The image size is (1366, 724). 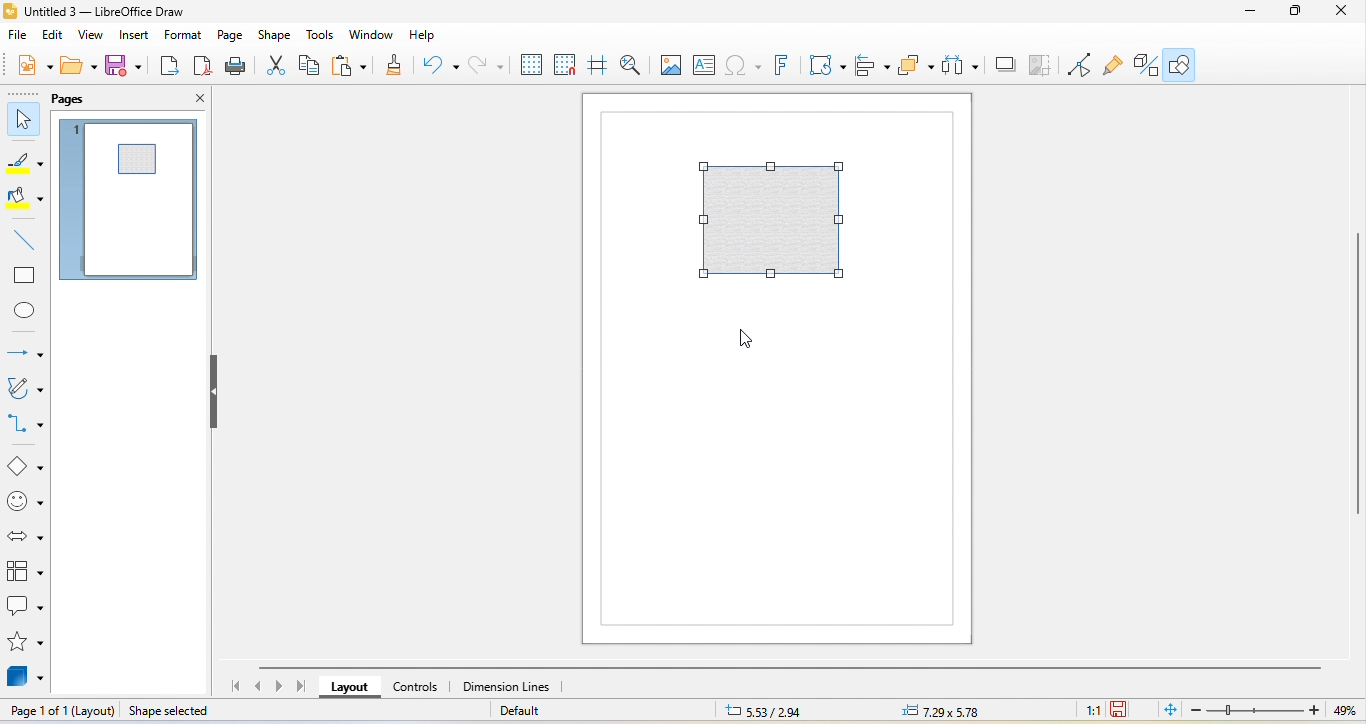 I want to click on transformation, so click(x=826, y=66).